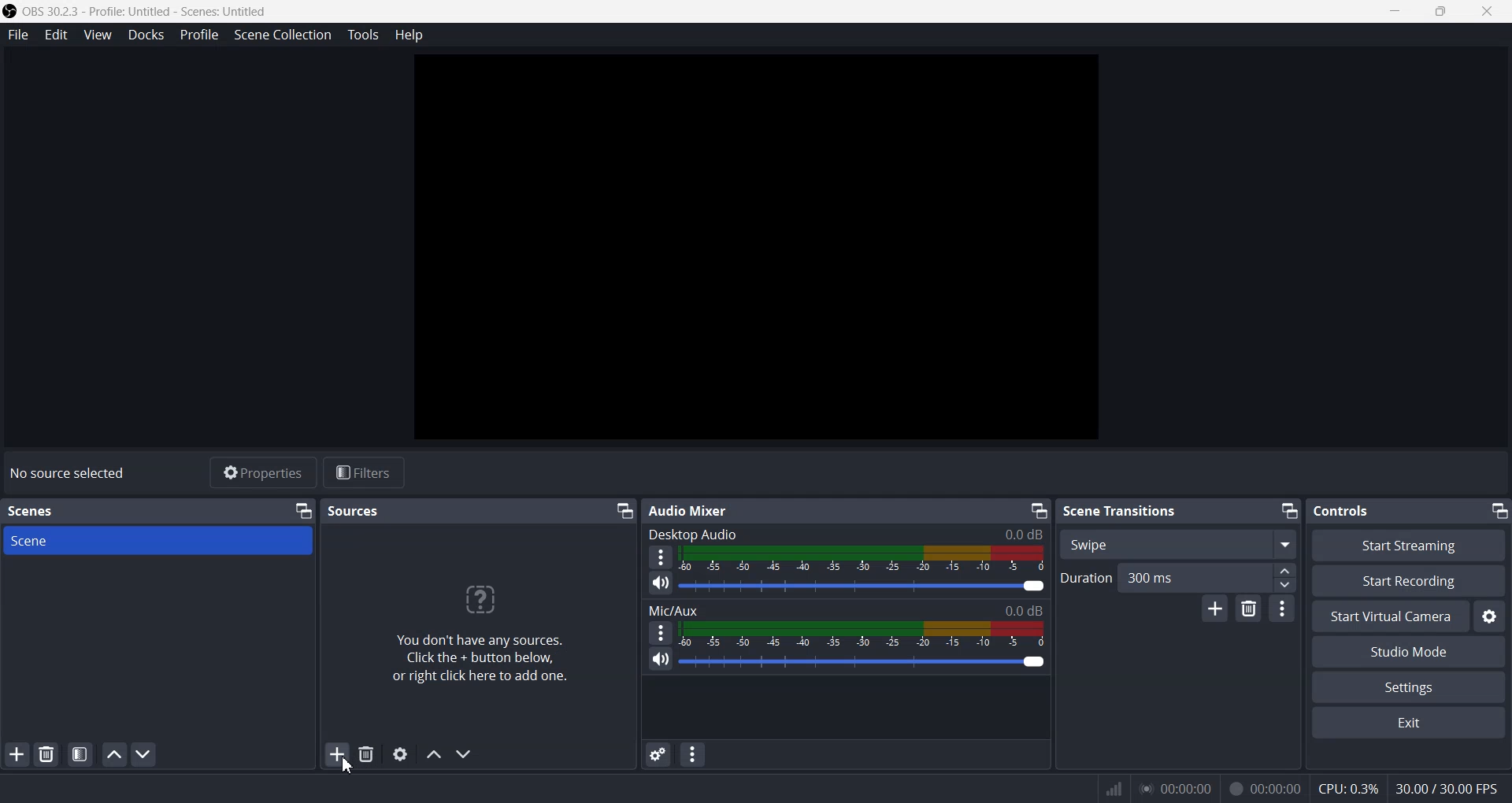  What do you see at coordinates (1346, 511) in the screenshot?
I see `Controls` at bounding box center [1346, 511].